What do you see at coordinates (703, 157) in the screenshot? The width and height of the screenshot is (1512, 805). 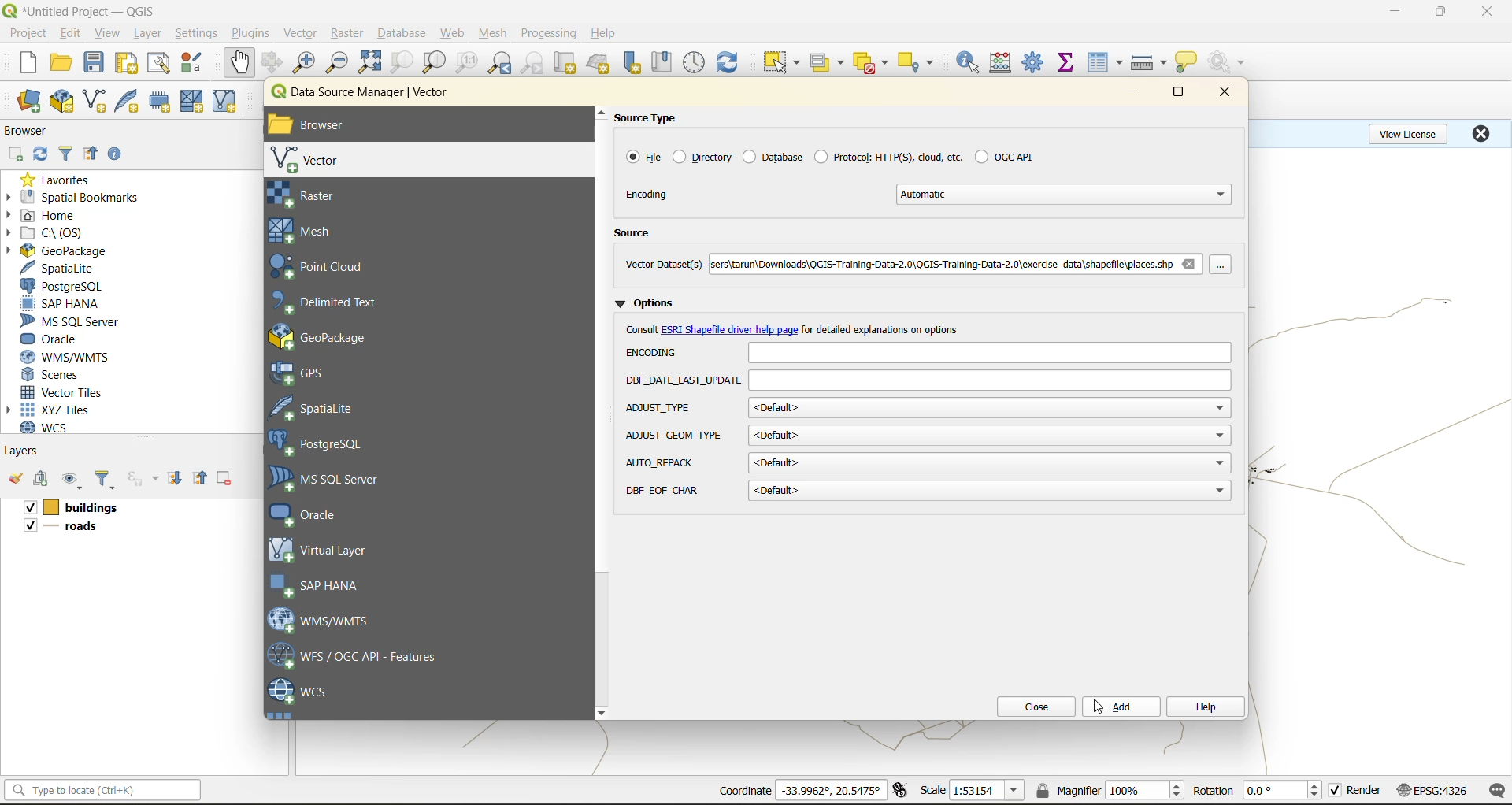 I see `directory` at bounding box center [703, 157].